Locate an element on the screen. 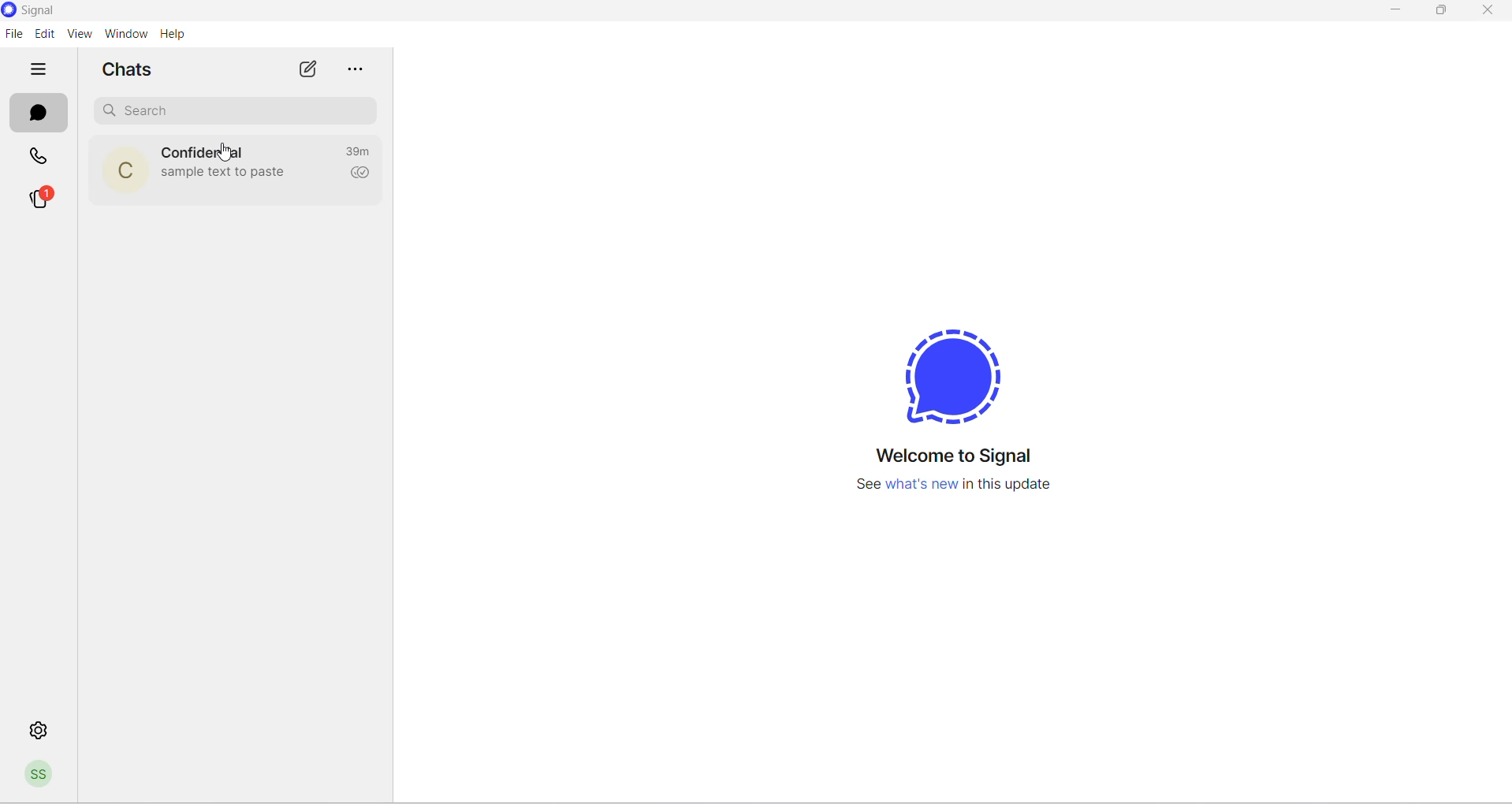 The height and width of the screenshot is (804, 1512). chats heading is located at coordinates (131, 68).